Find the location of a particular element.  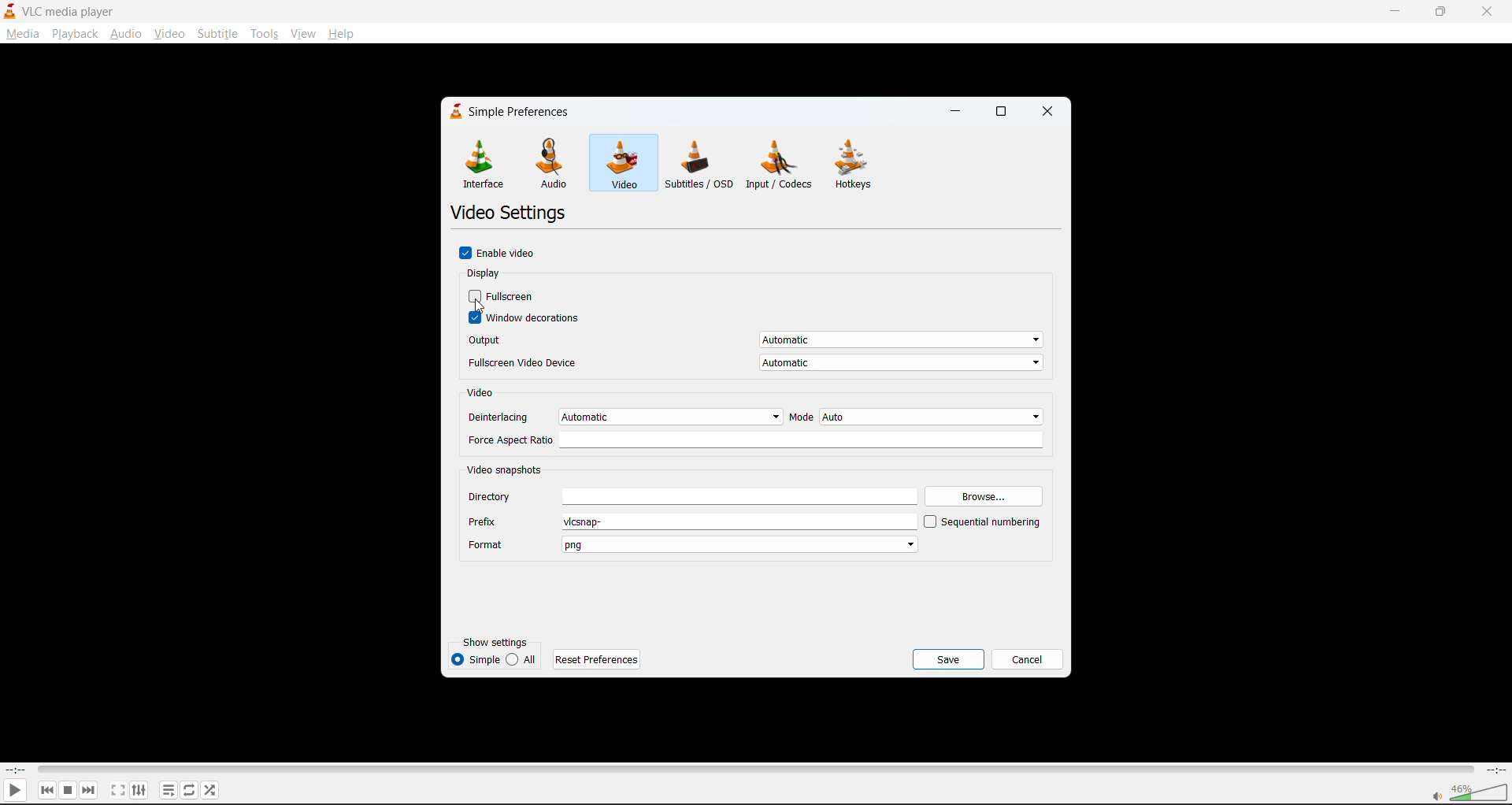

simple preferences is located at coordinates (513, 112).